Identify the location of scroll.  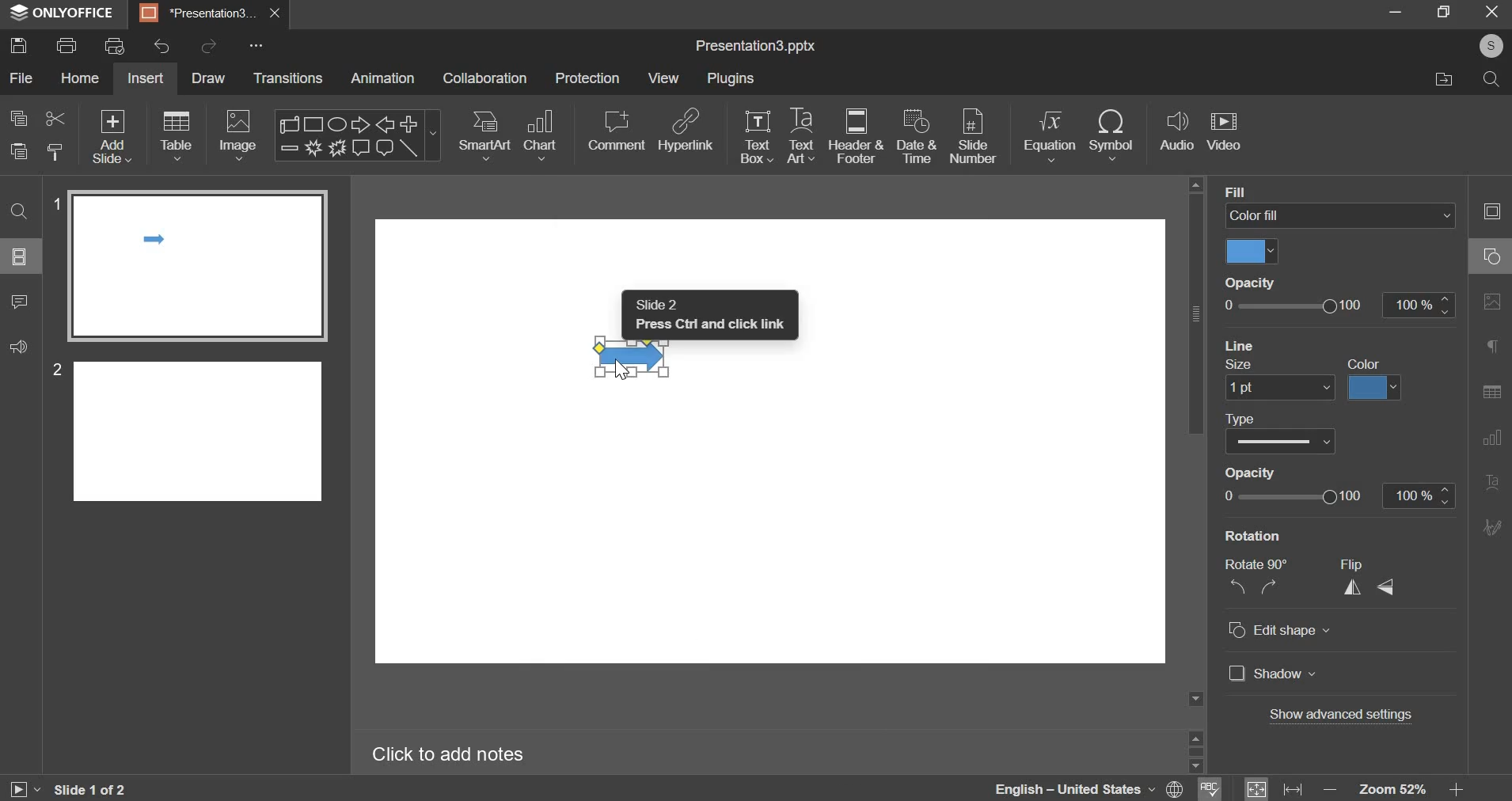
(291, 123).